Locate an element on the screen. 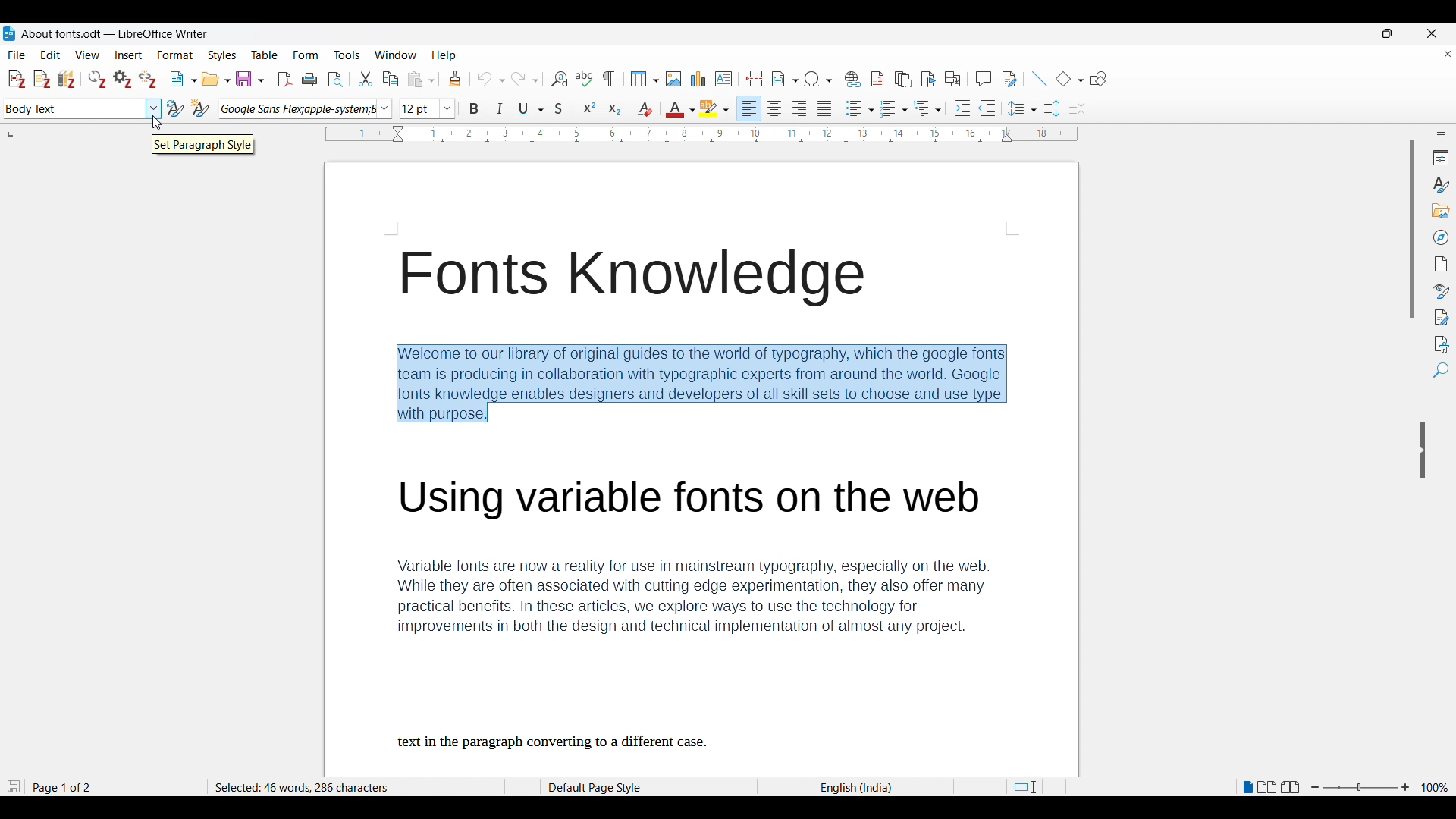 This screenshot has width=1456, height=819. Horizontal scale is located at coordinates (701, 134).